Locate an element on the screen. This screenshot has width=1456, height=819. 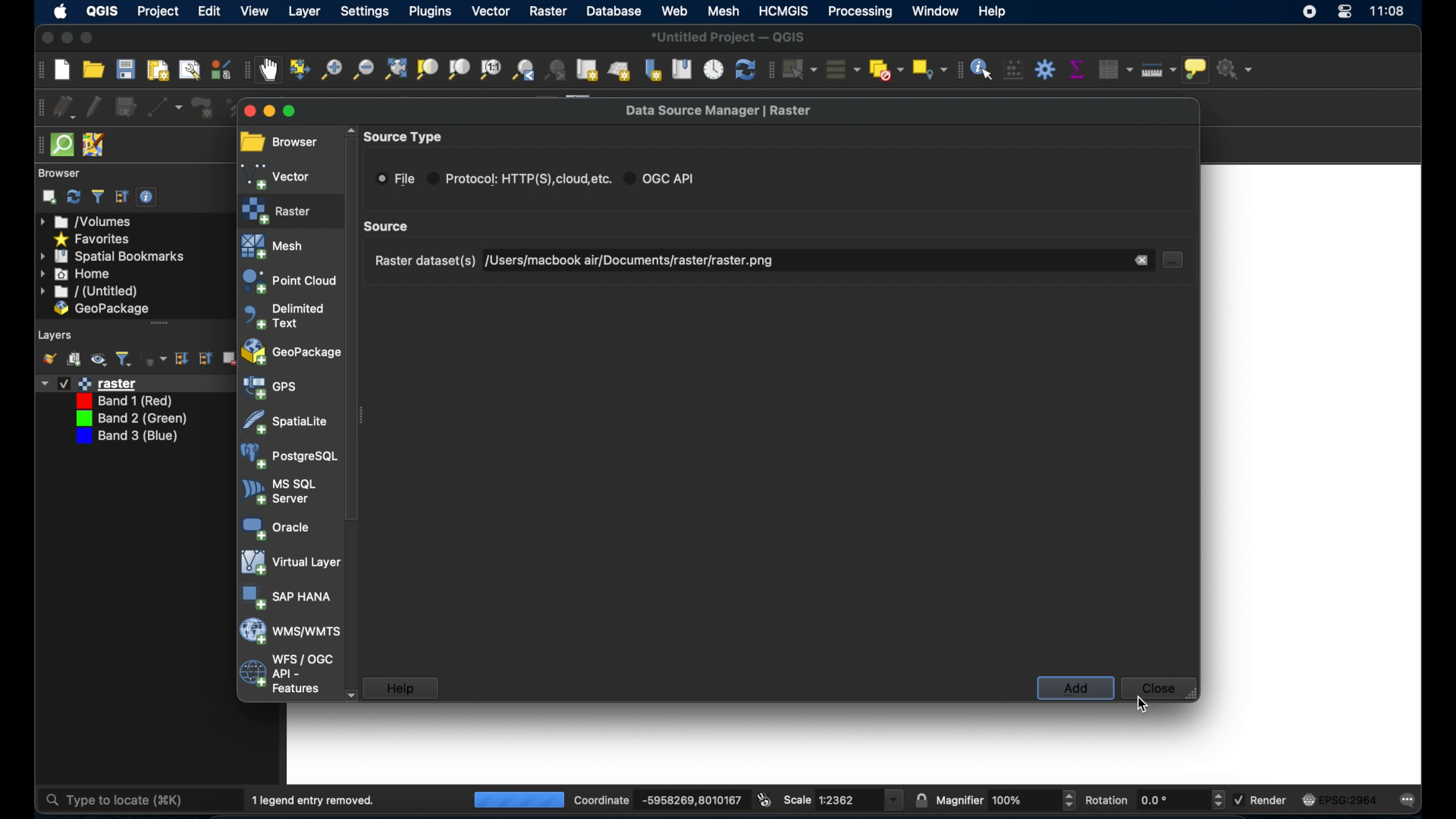
filter layer is located at coordinates (124, 359).